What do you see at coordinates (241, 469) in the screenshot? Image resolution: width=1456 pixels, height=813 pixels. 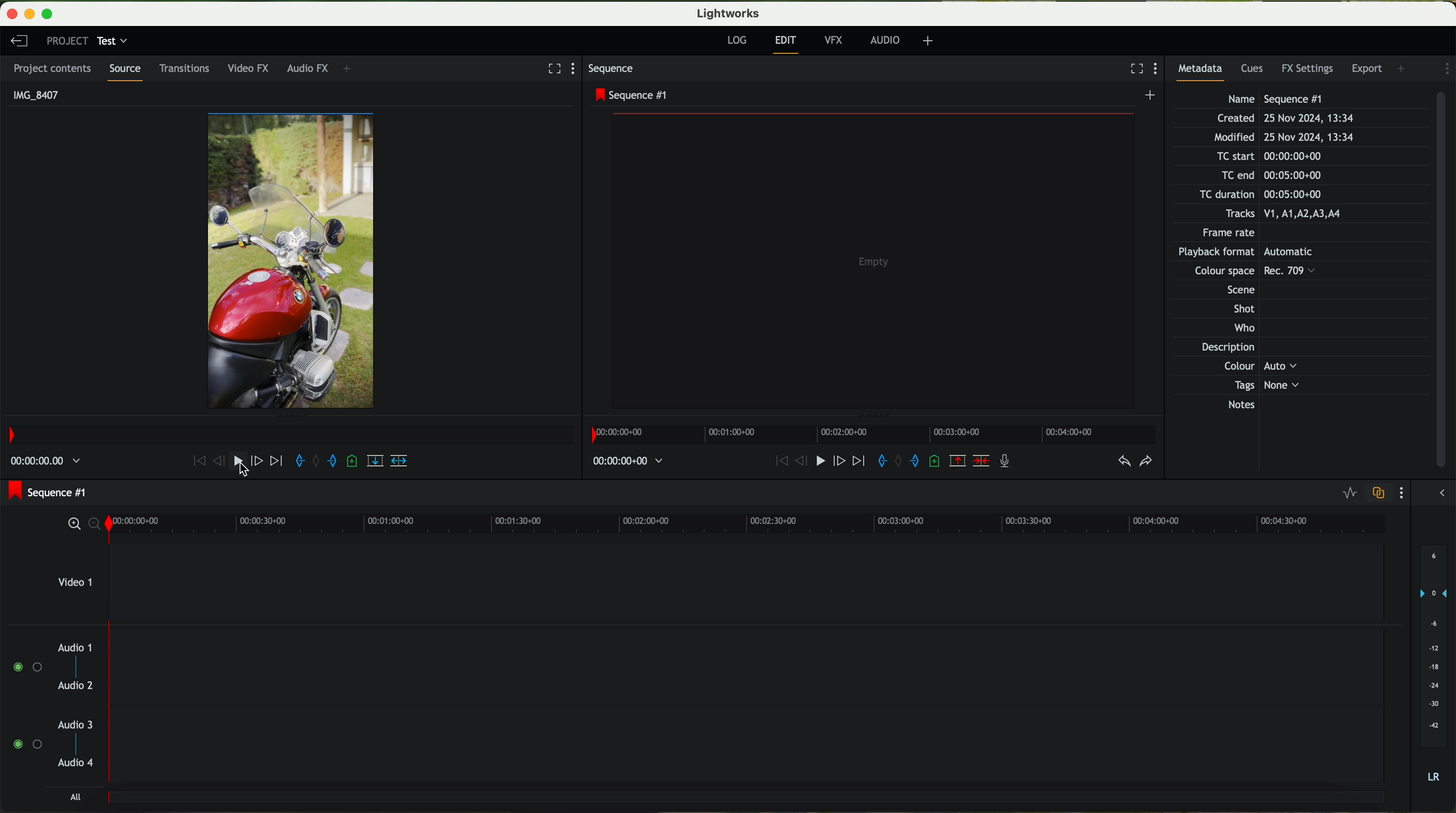 I see `cursor` at bounding box center [241, 469].